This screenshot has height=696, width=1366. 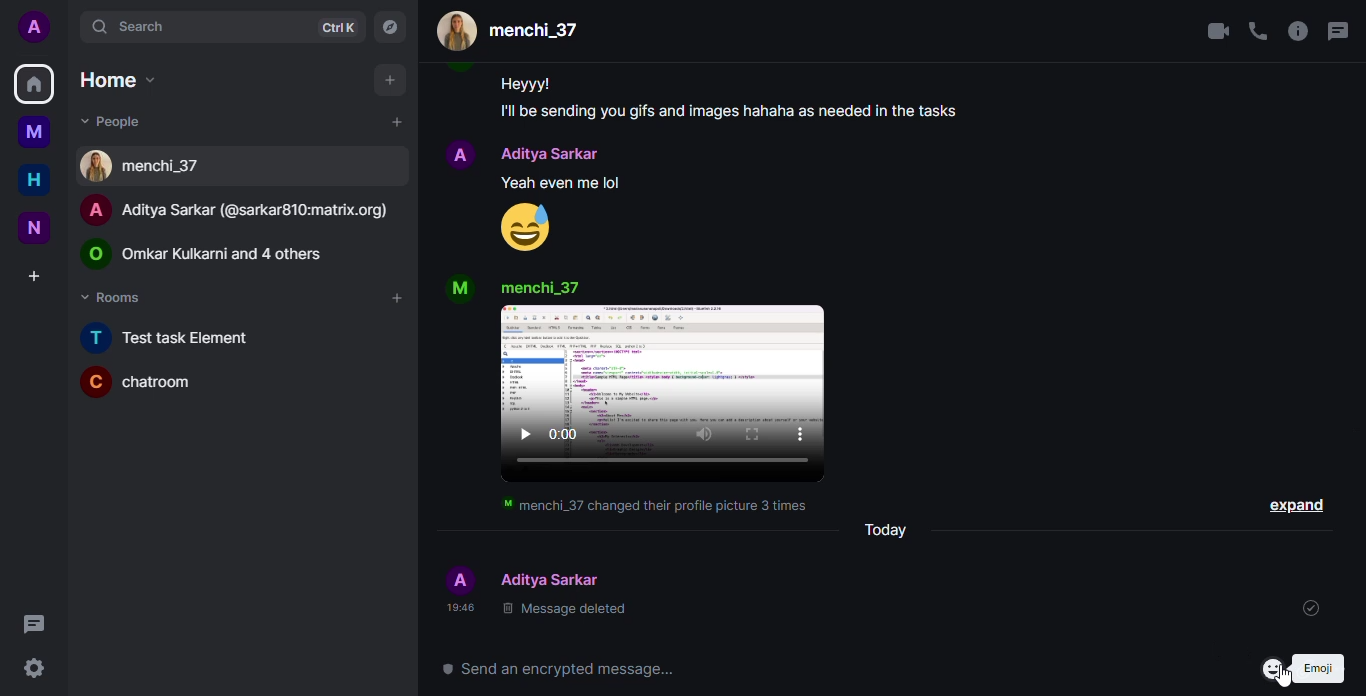 What do you see at coordinates (458, 289) in the screenshot?
I see `profile` at bounding box center [458, 289].